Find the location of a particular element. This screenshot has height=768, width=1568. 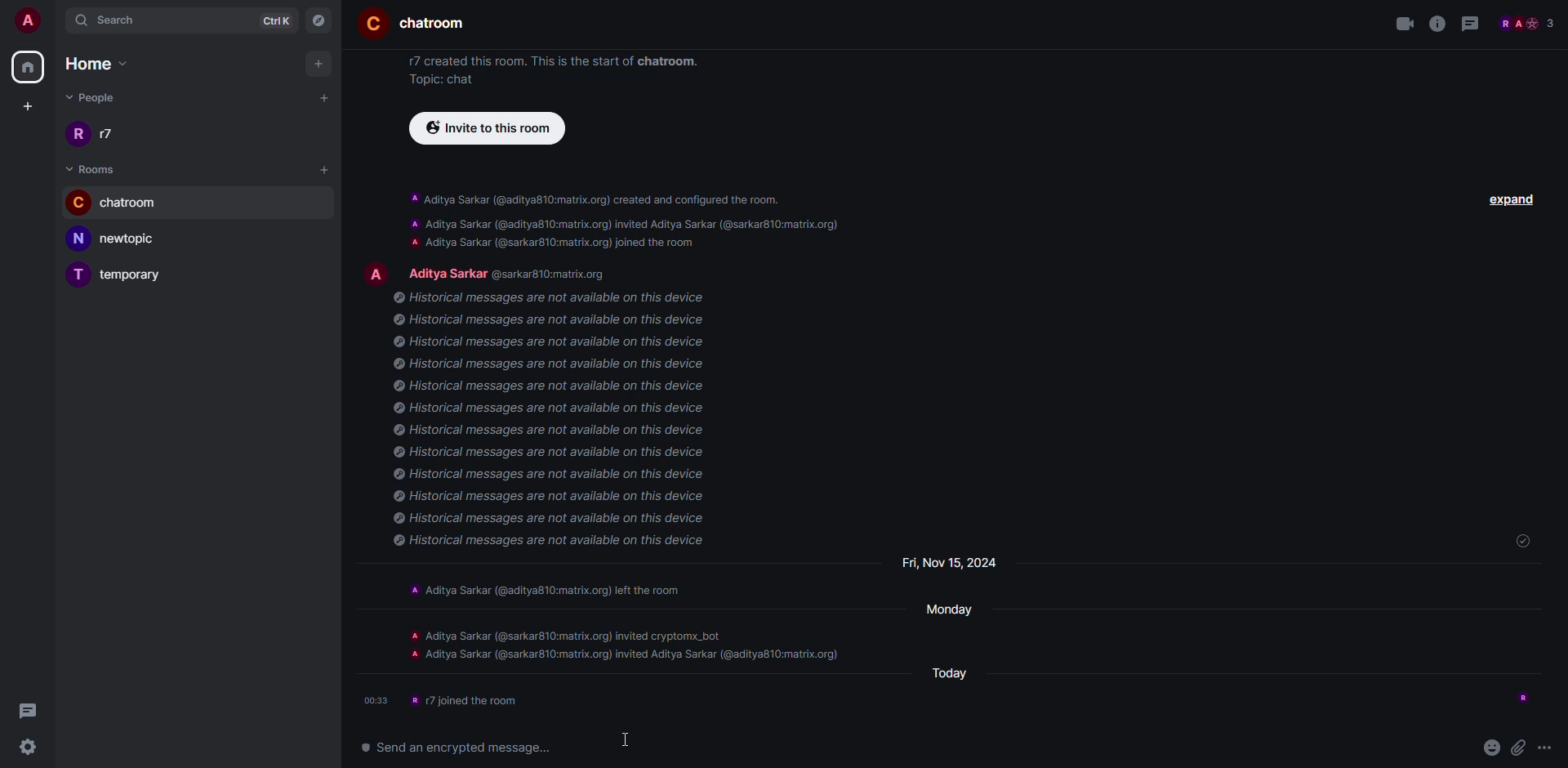

people is located at coordinates (100, 100).